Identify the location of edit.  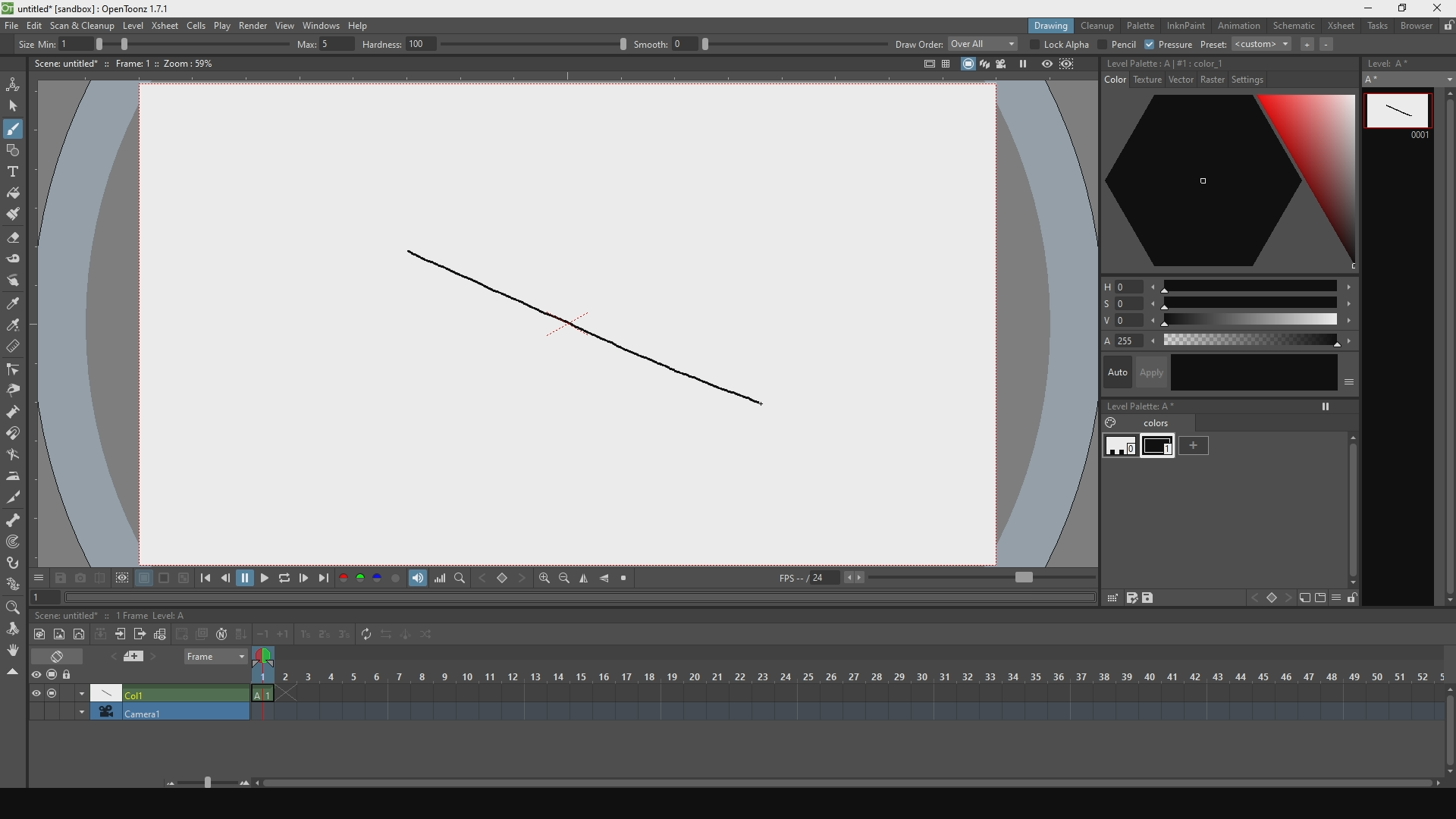
(33, 24).